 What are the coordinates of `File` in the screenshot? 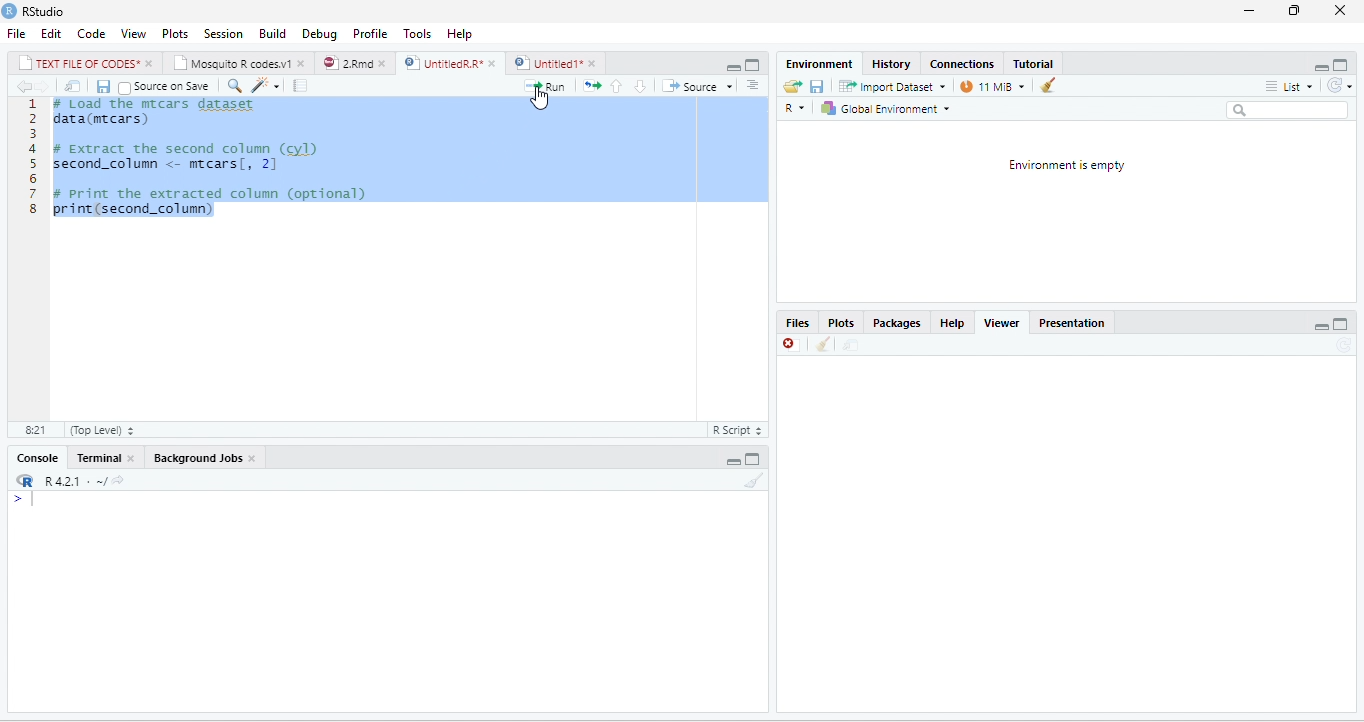 It's located at (15, 33).